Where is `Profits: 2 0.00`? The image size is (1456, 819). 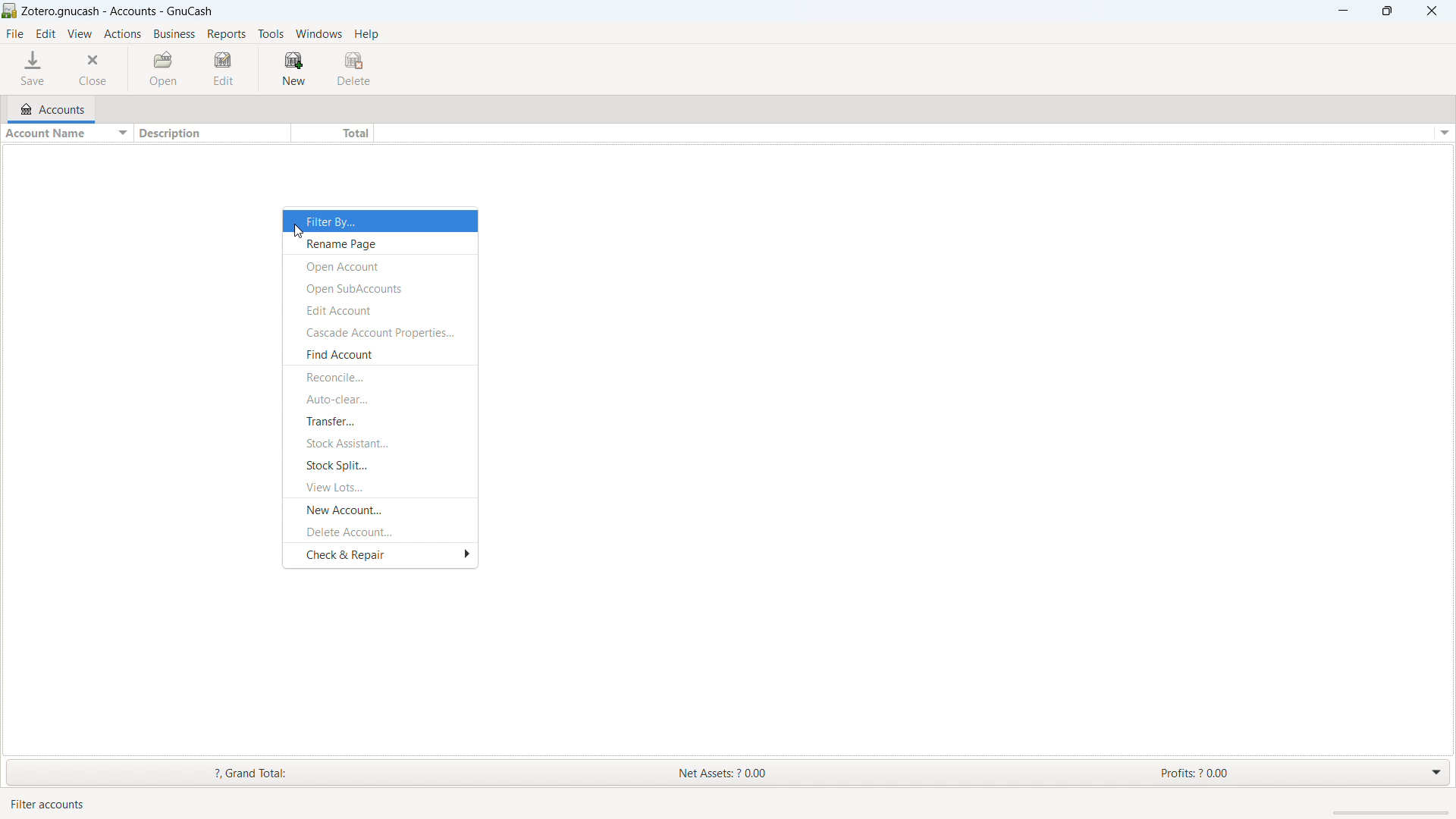
Profits: 2 0.00 is located at coordinates (1278, 772).